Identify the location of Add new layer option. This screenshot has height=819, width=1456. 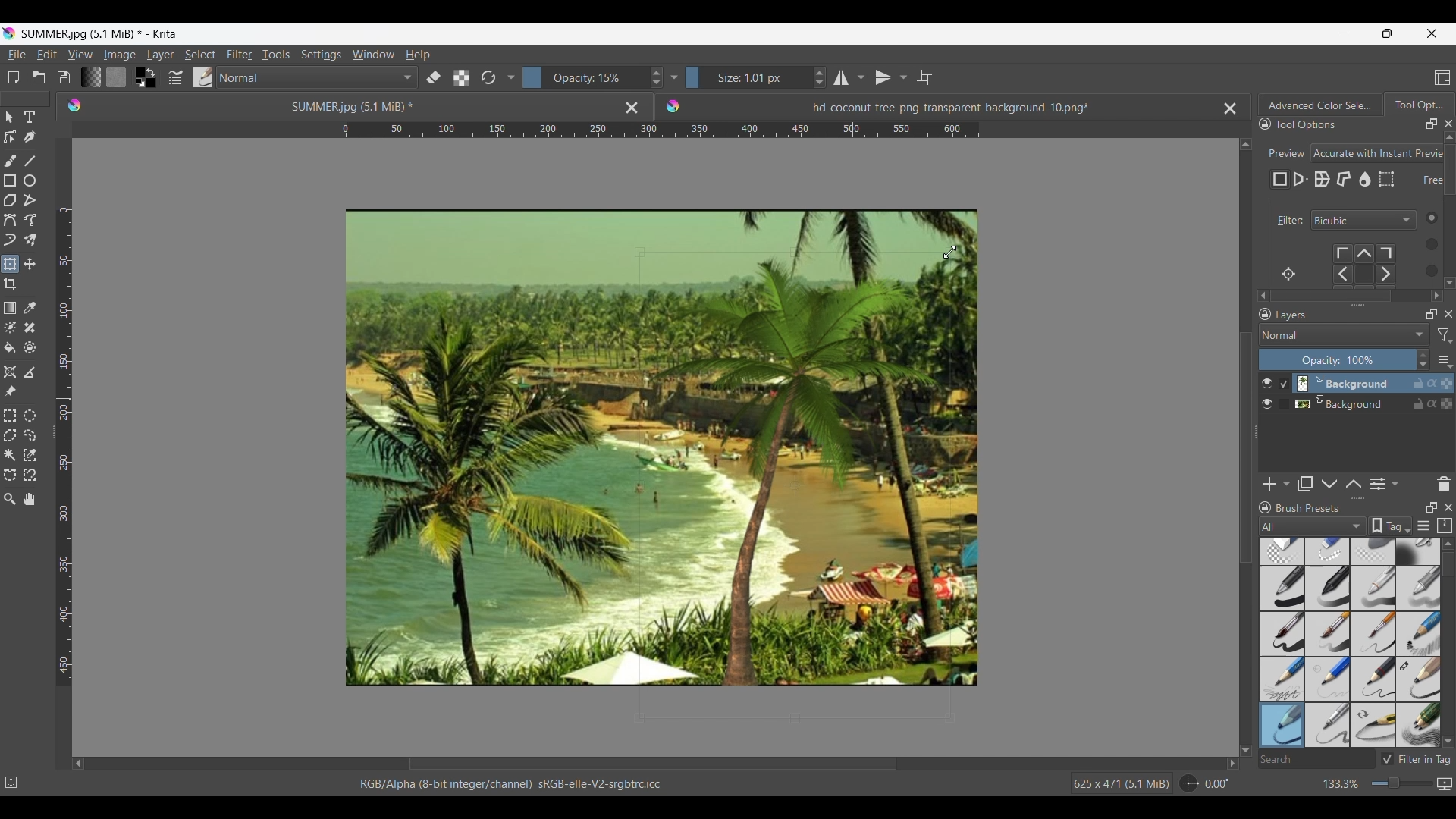
(1285, 484).